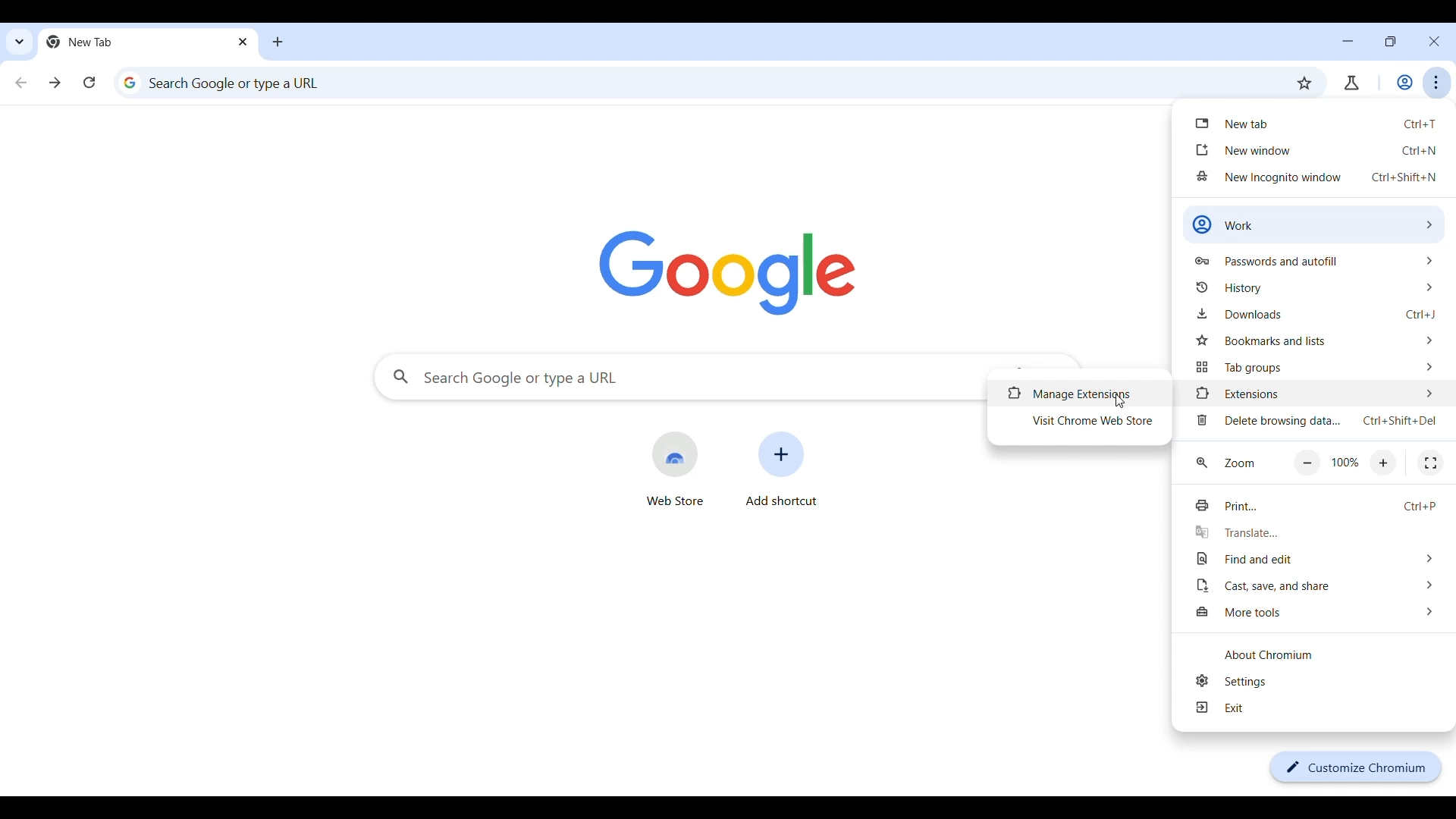 Image resolution: width=1456 pixels, height=819 pixels. I want to click on Chrome labs, so click(1351, 83).